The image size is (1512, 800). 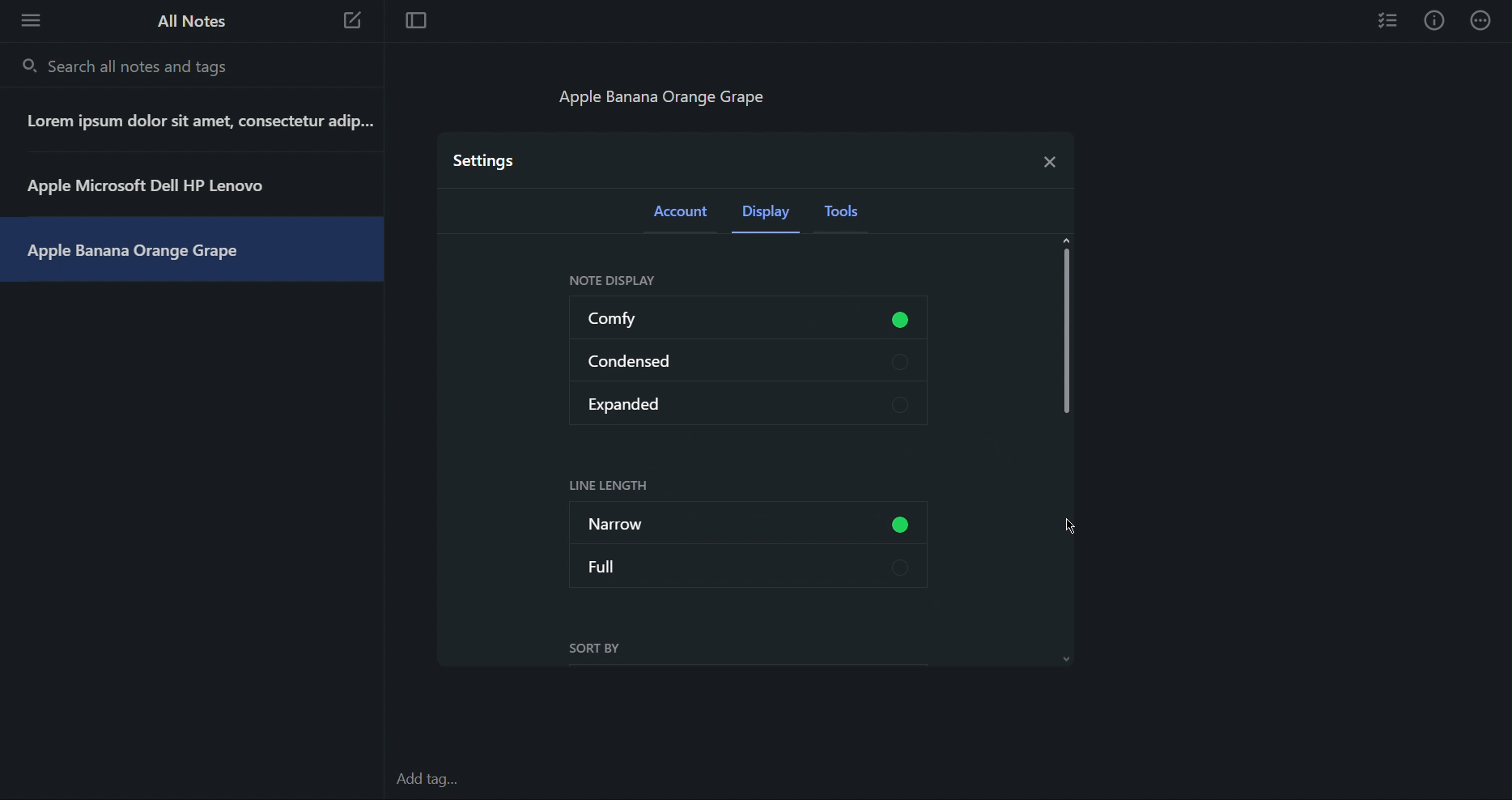 What do you see at coordinates (750, 566) in the screenshot?
I see `Full` at bounding box center [750, 566].